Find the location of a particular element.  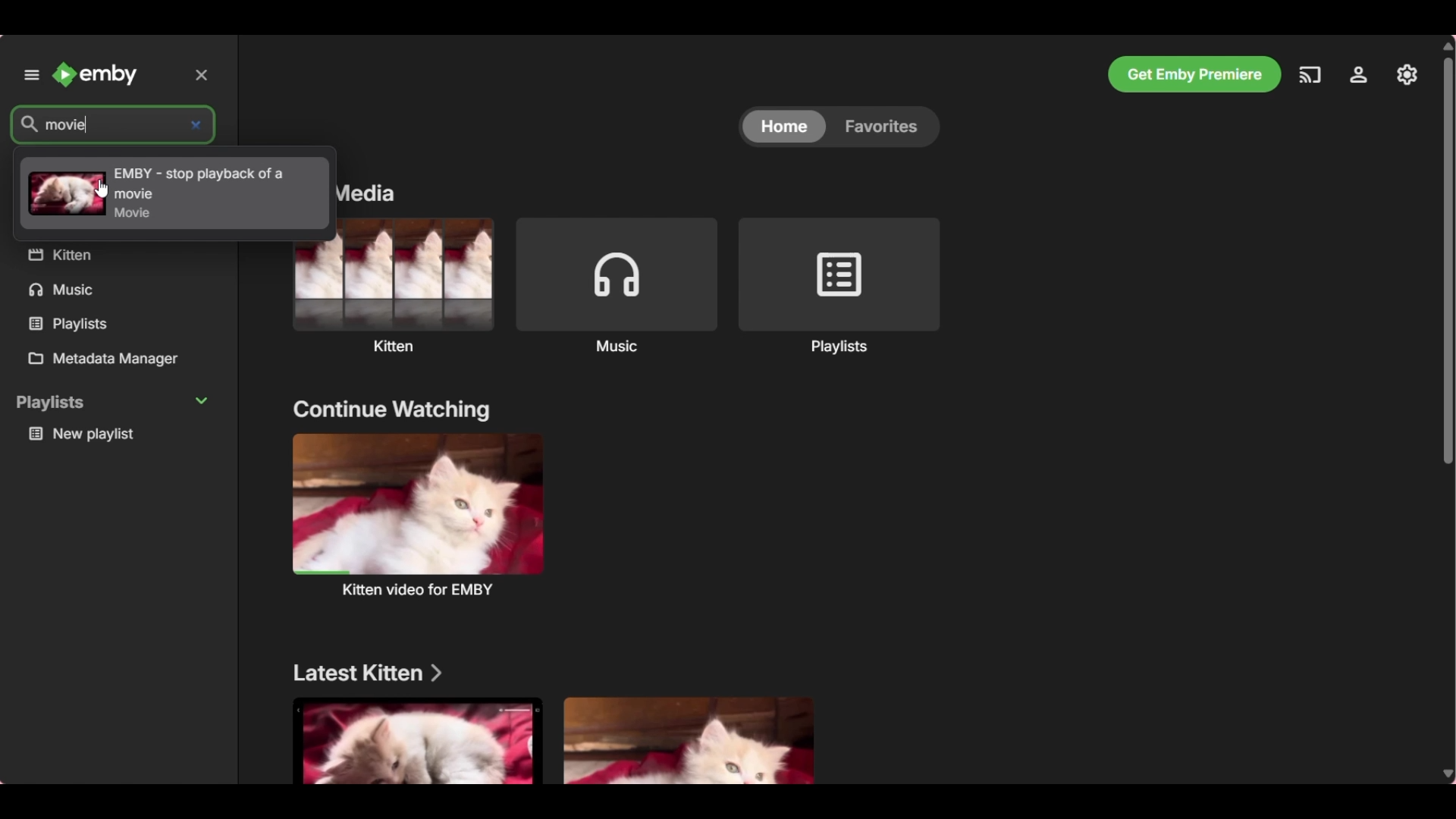

Media under section mentioned above is located at coordinates (690, 739).